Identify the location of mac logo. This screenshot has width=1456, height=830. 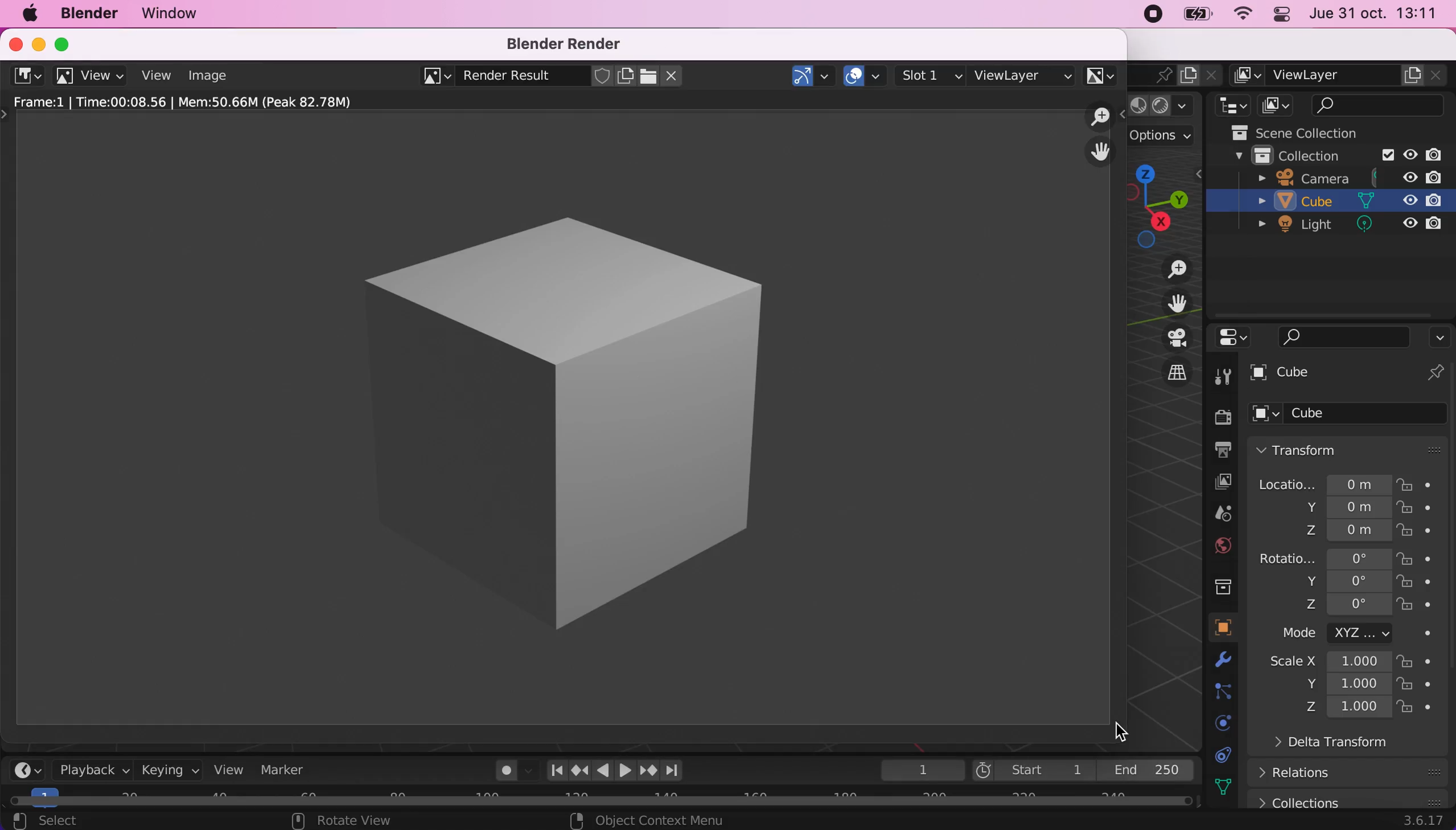
(26, 14).